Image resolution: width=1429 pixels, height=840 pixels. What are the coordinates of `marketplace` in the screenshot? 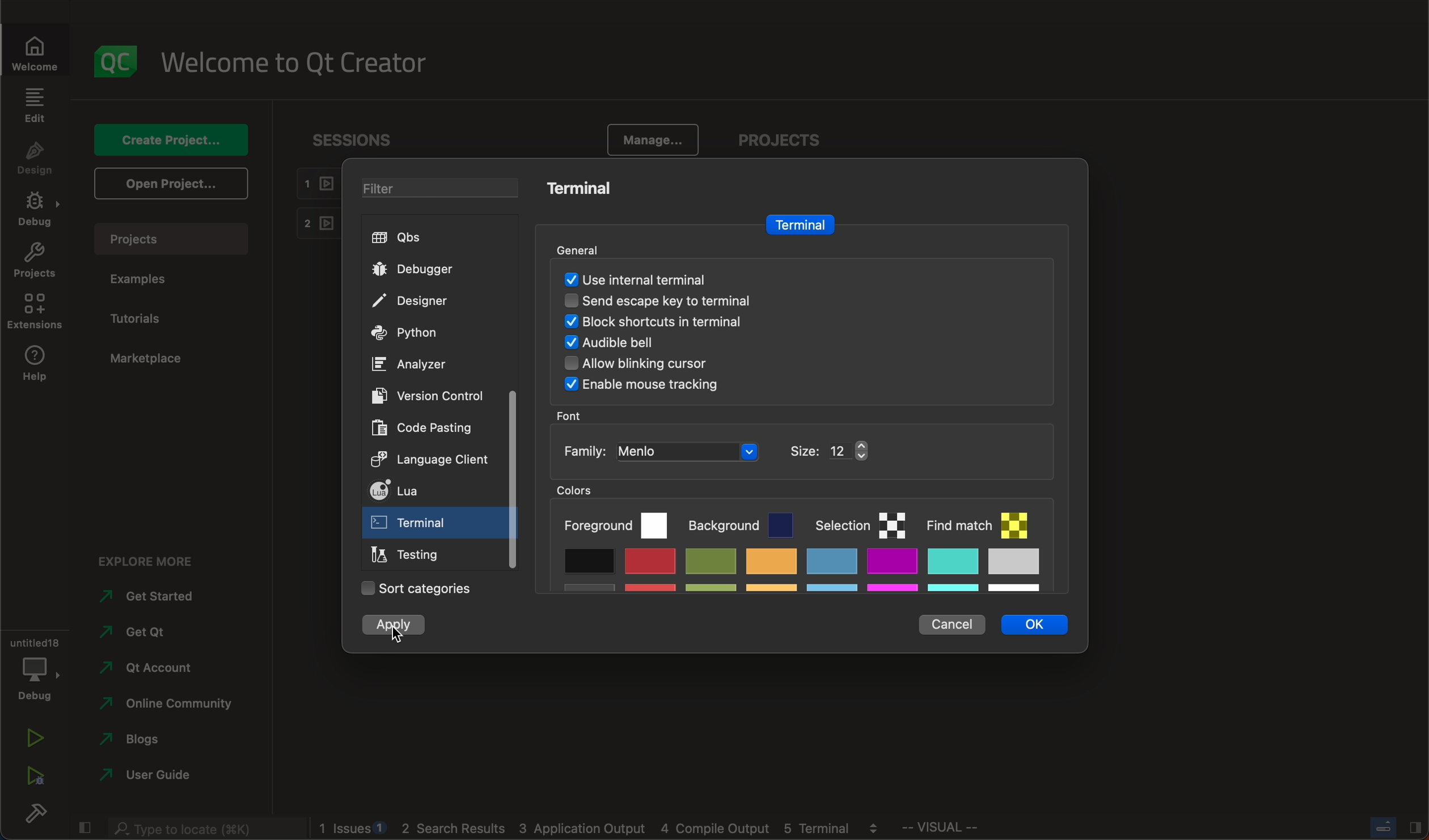 It's located at (152, 360).